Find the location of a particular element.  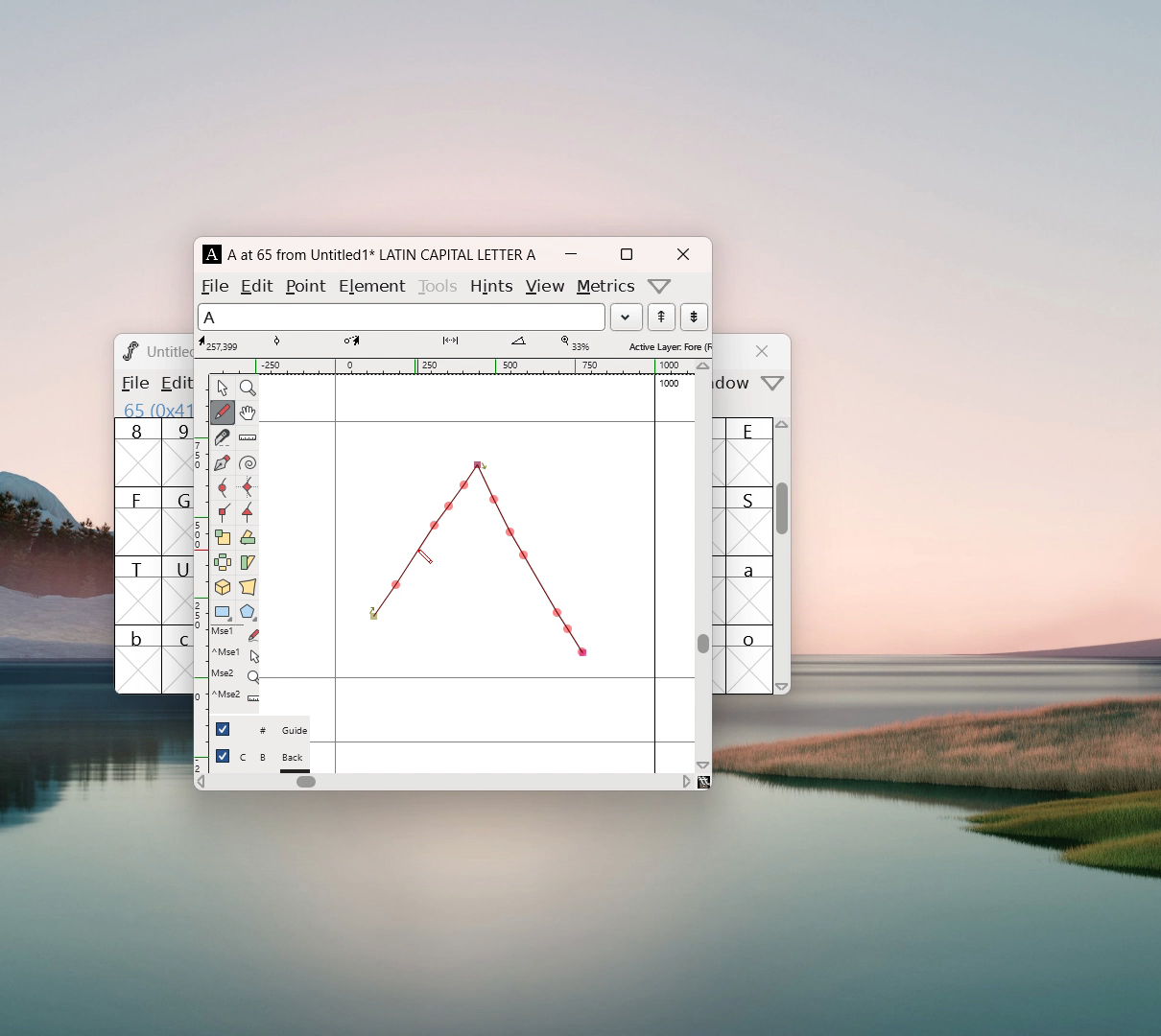

b is located at coordinates (138, 659).